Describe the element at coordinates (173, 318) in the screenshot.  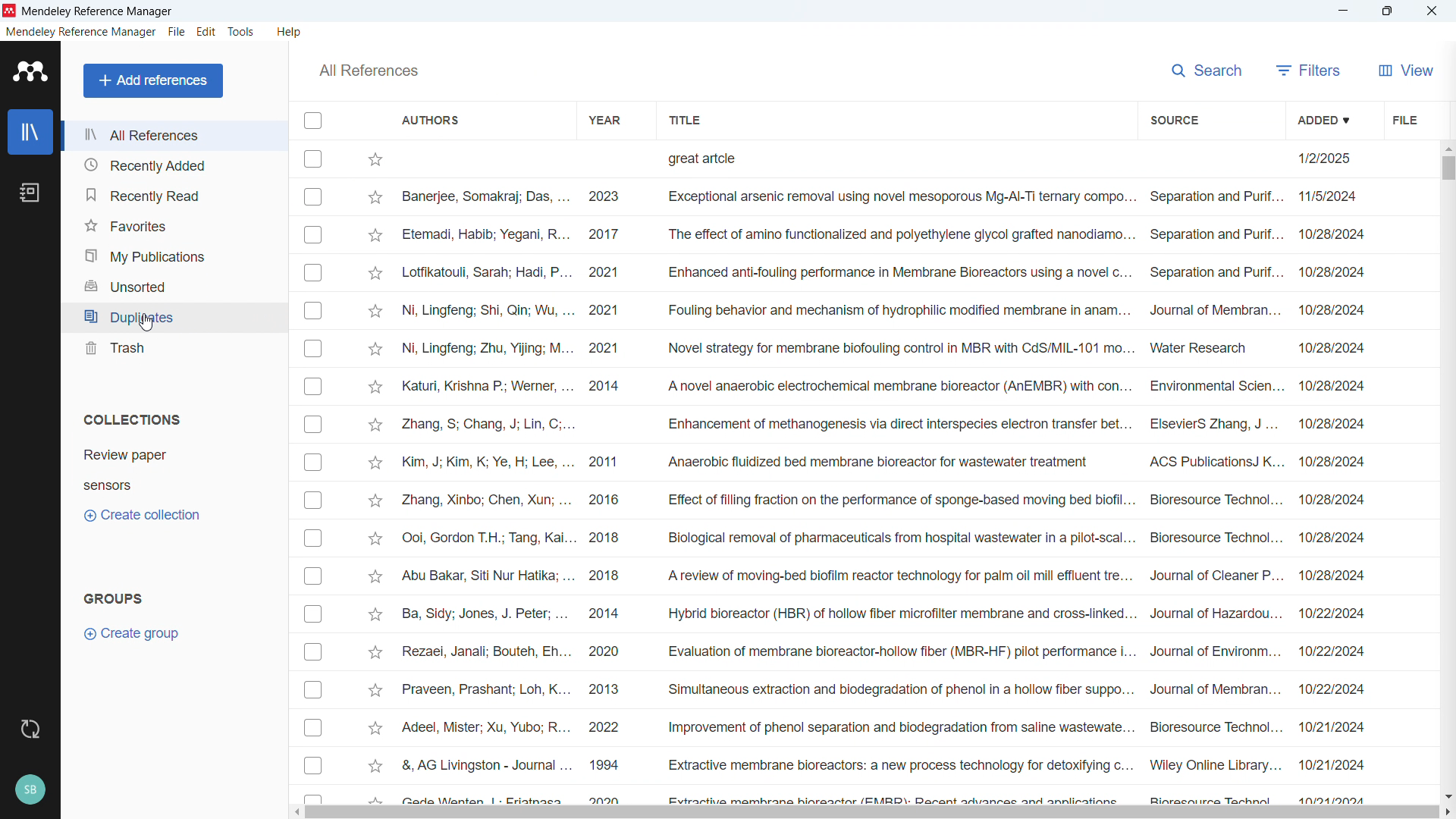
I see `Duplicates ` at that location.